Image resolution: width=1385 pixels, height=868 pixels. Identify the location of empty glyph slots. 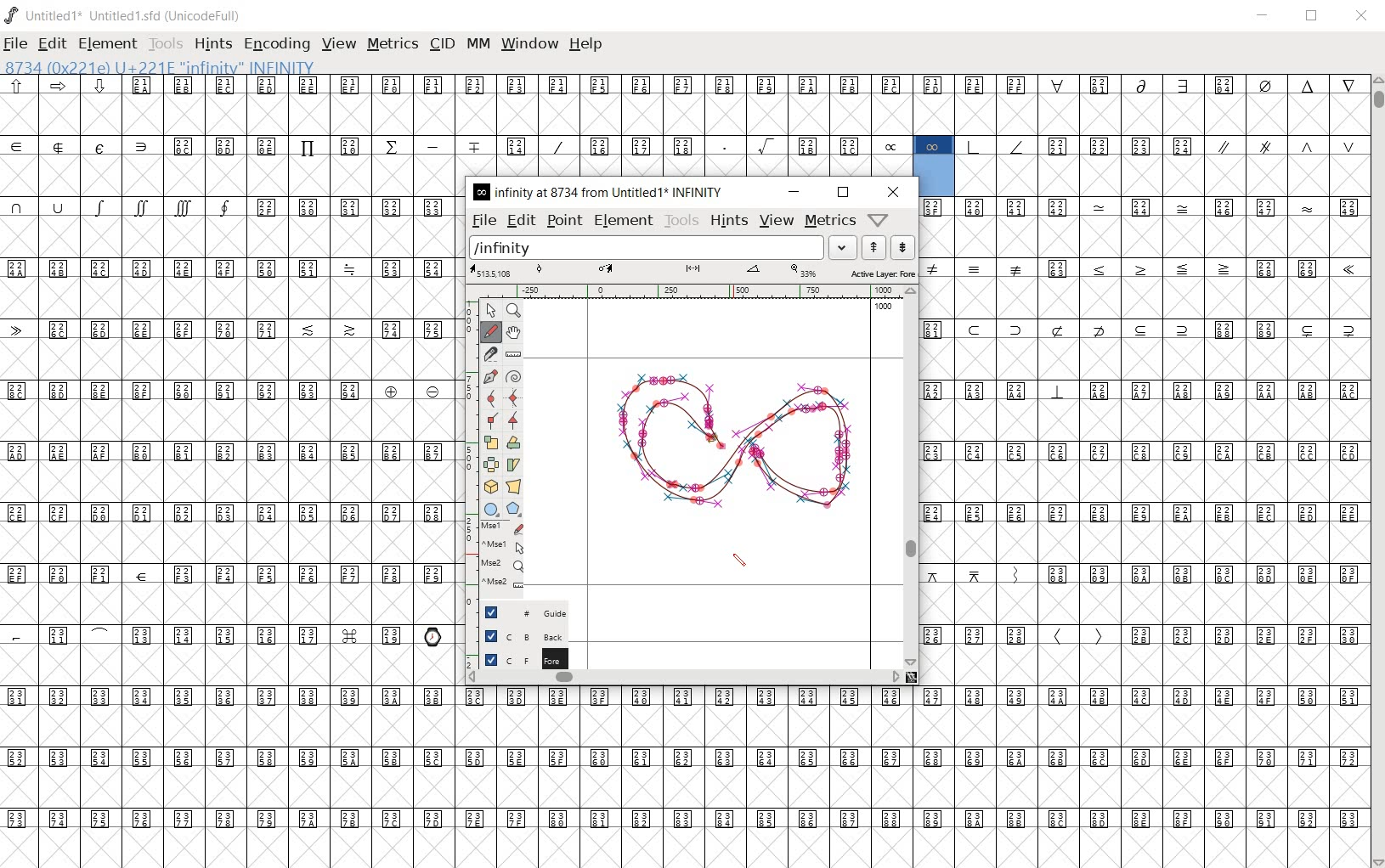
(682, 114).